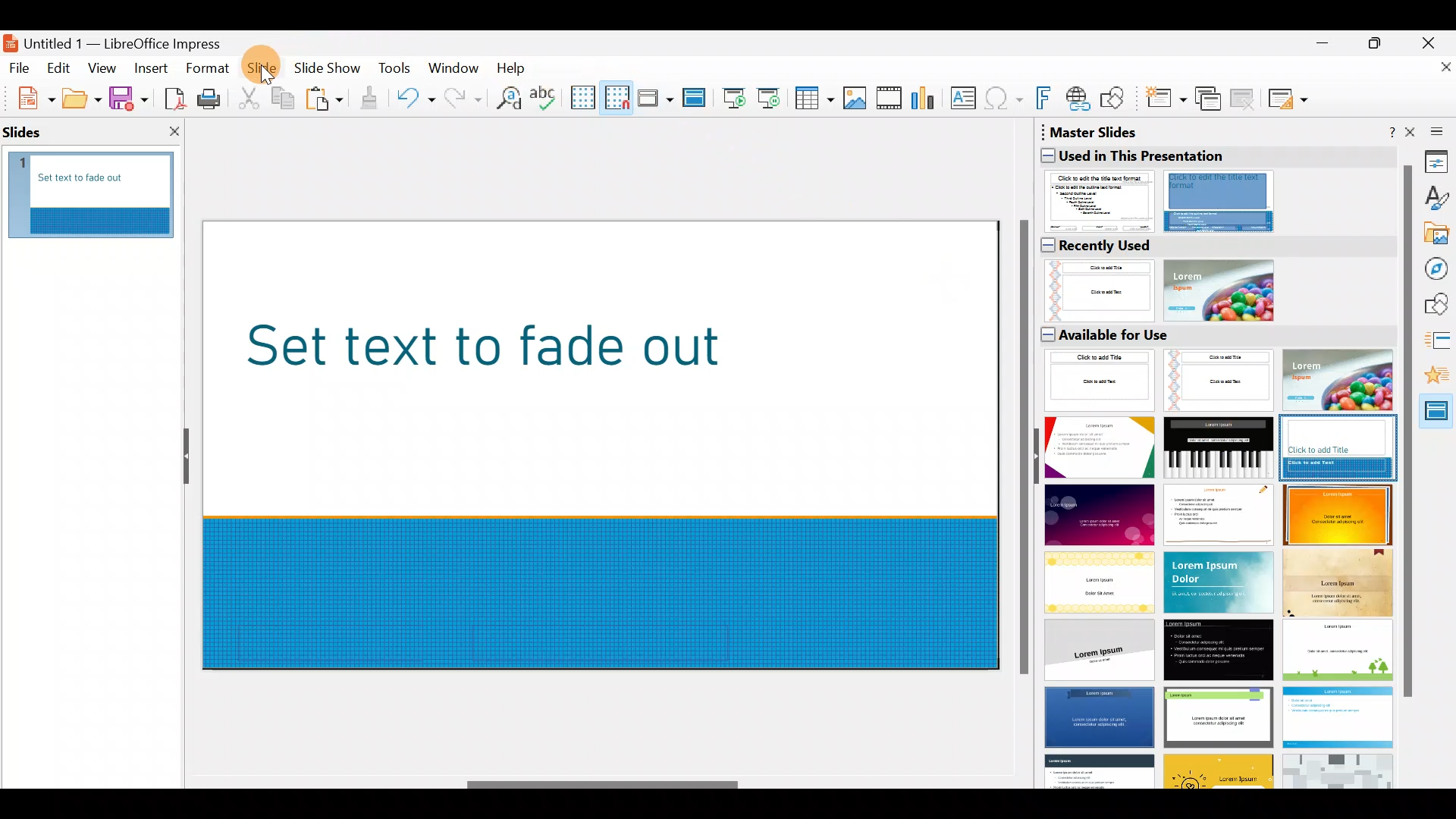 The width and height of the screenshot is (1456, 819). What do you see at coordinates (1079, 98) in the screenshot?
I see `Insert hyperlink` at bounding box center [1079, 98].